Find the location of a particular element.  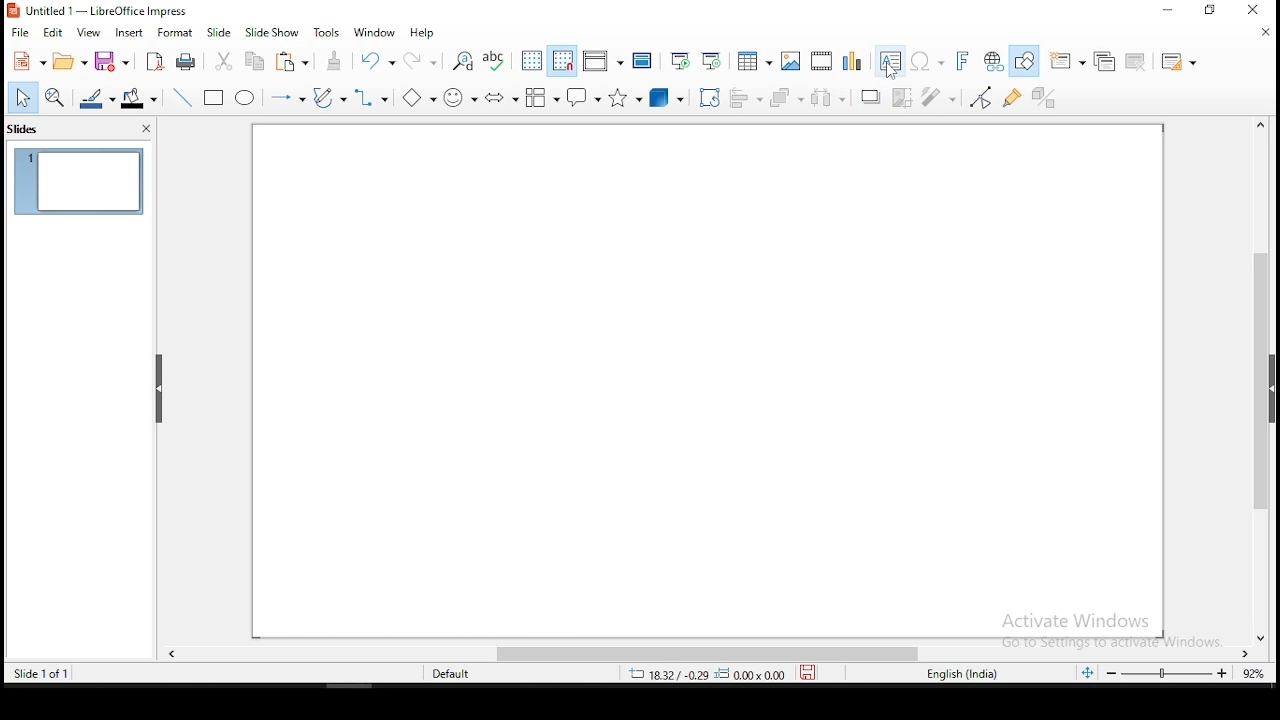

Default is located at coordinates (460, 672).